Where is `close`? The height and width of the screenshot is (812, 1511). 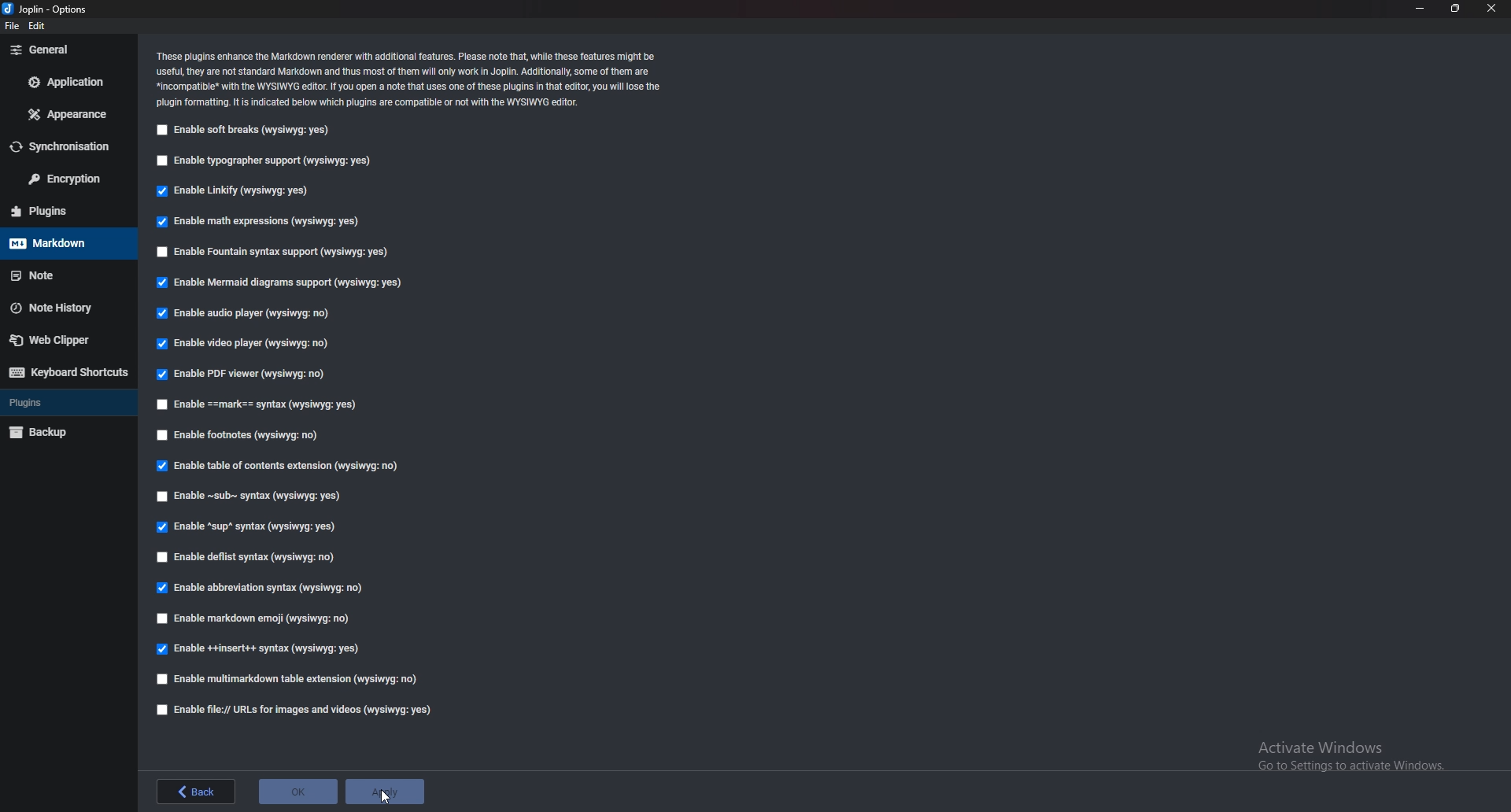 close is located at coordinates (1494, 8).